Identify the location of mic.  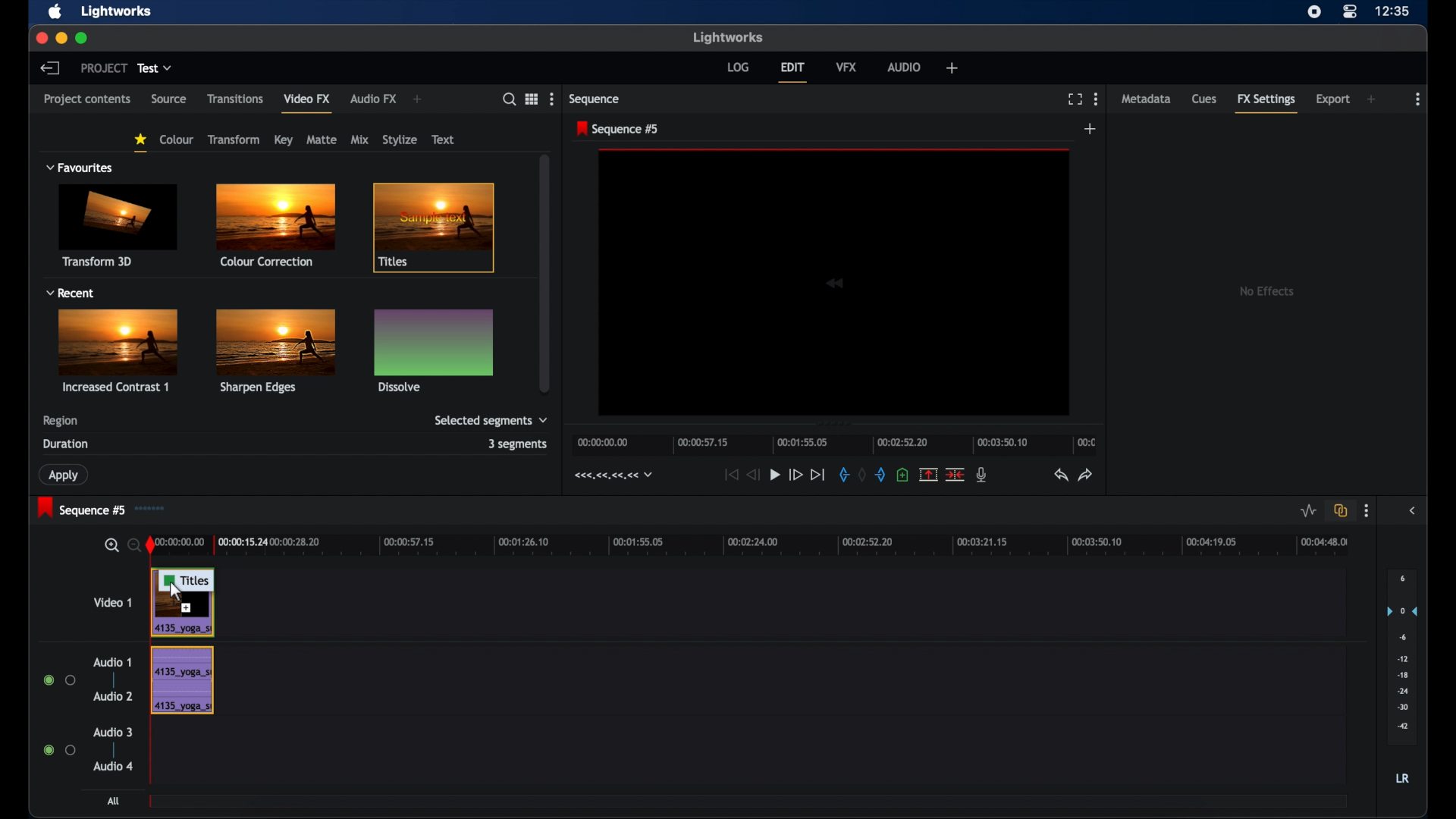
(983, 475).